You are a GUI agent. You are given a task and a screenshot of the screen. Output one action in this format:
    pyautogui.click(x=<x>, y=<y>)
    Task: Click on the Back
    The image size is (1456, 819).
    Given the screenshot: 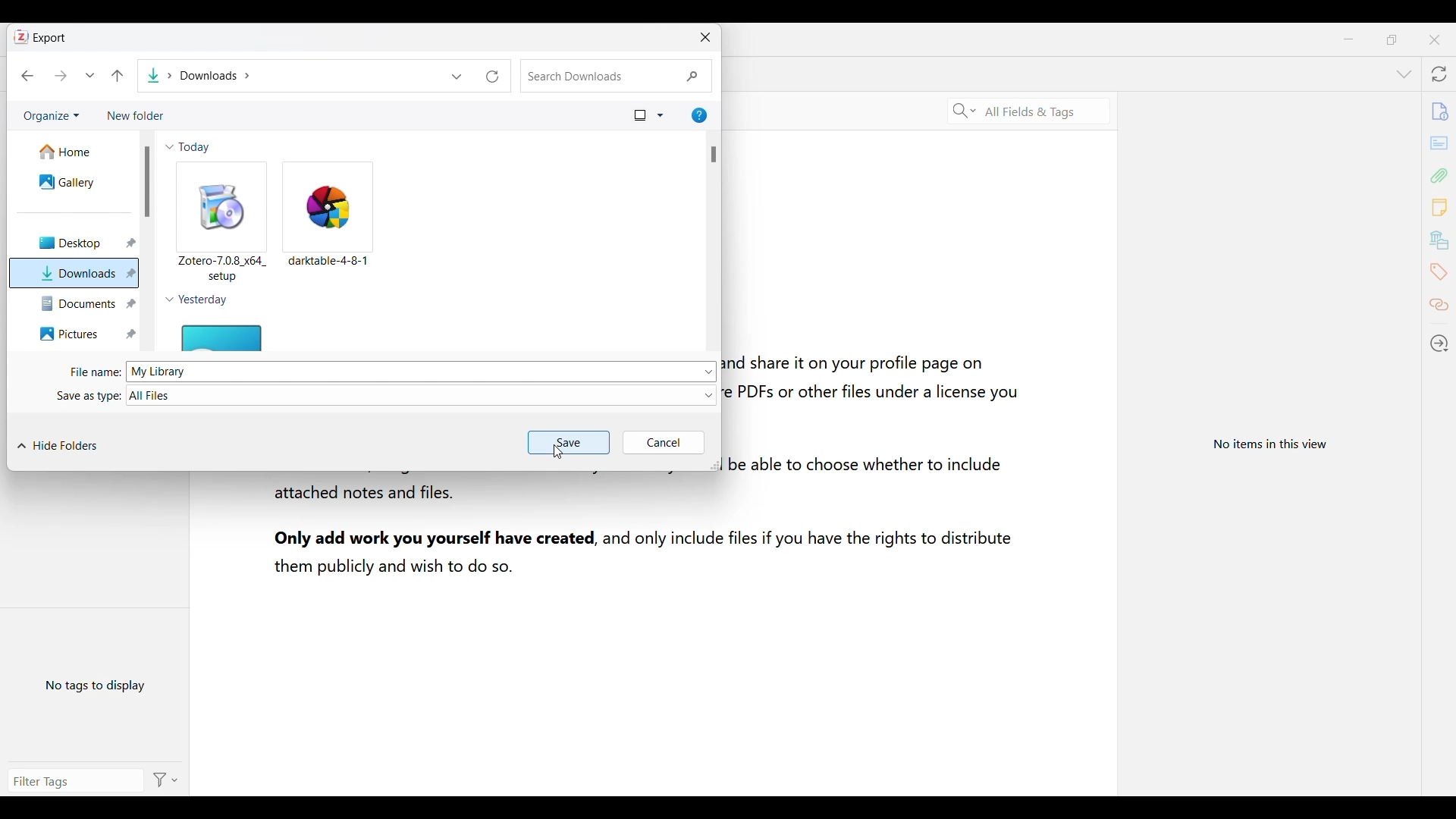 What is the action you would take?
    pyautogui.click(x=119, y=73)
    